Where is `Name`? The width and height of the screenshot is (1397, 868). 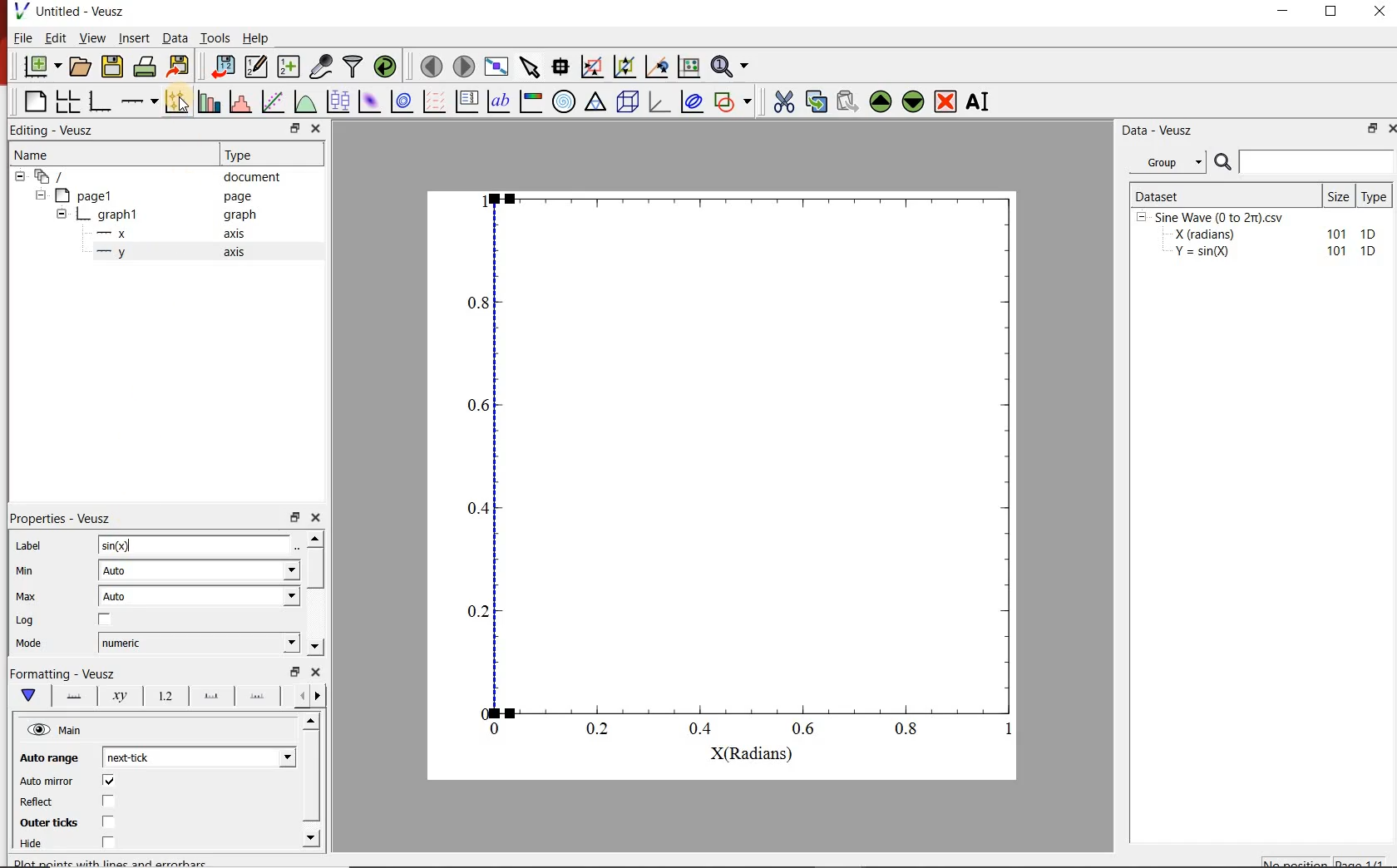 Name is located at coordinates (30, 153).